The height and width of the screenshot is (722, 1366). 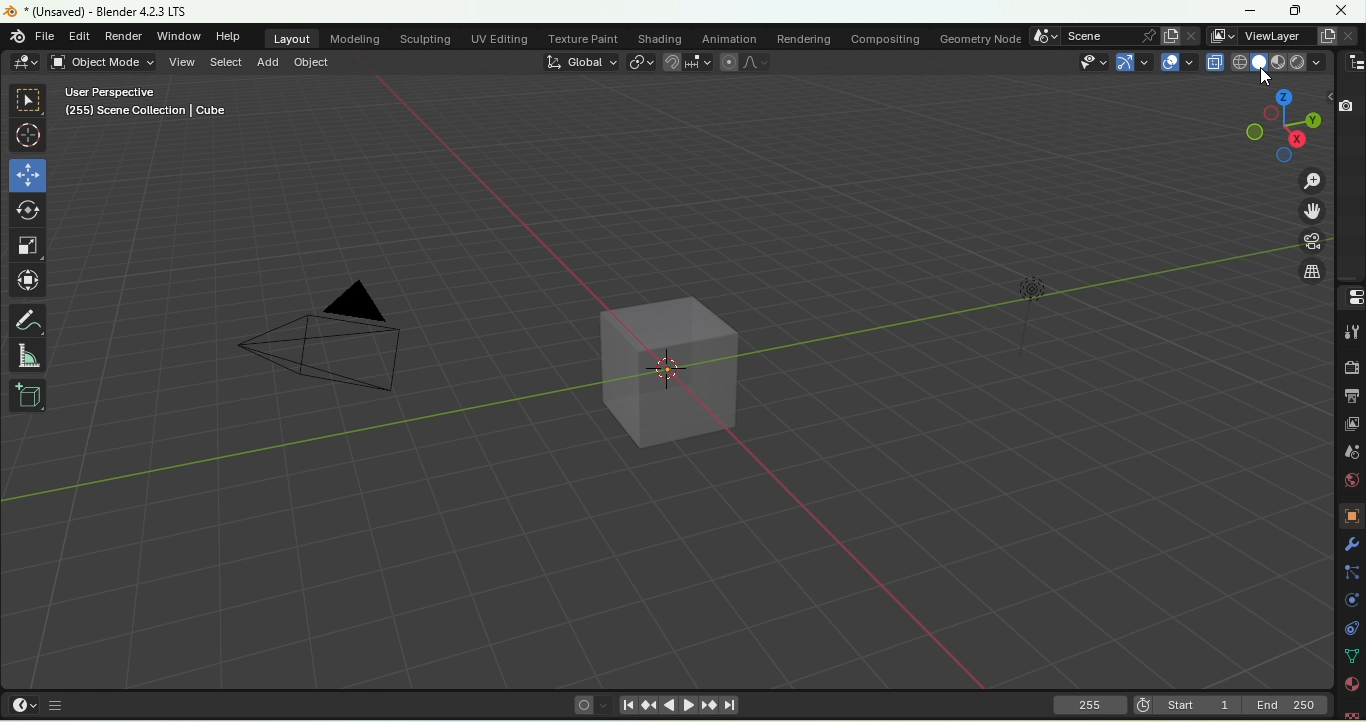 I want to click on Select box, so click(x=30, y=99).